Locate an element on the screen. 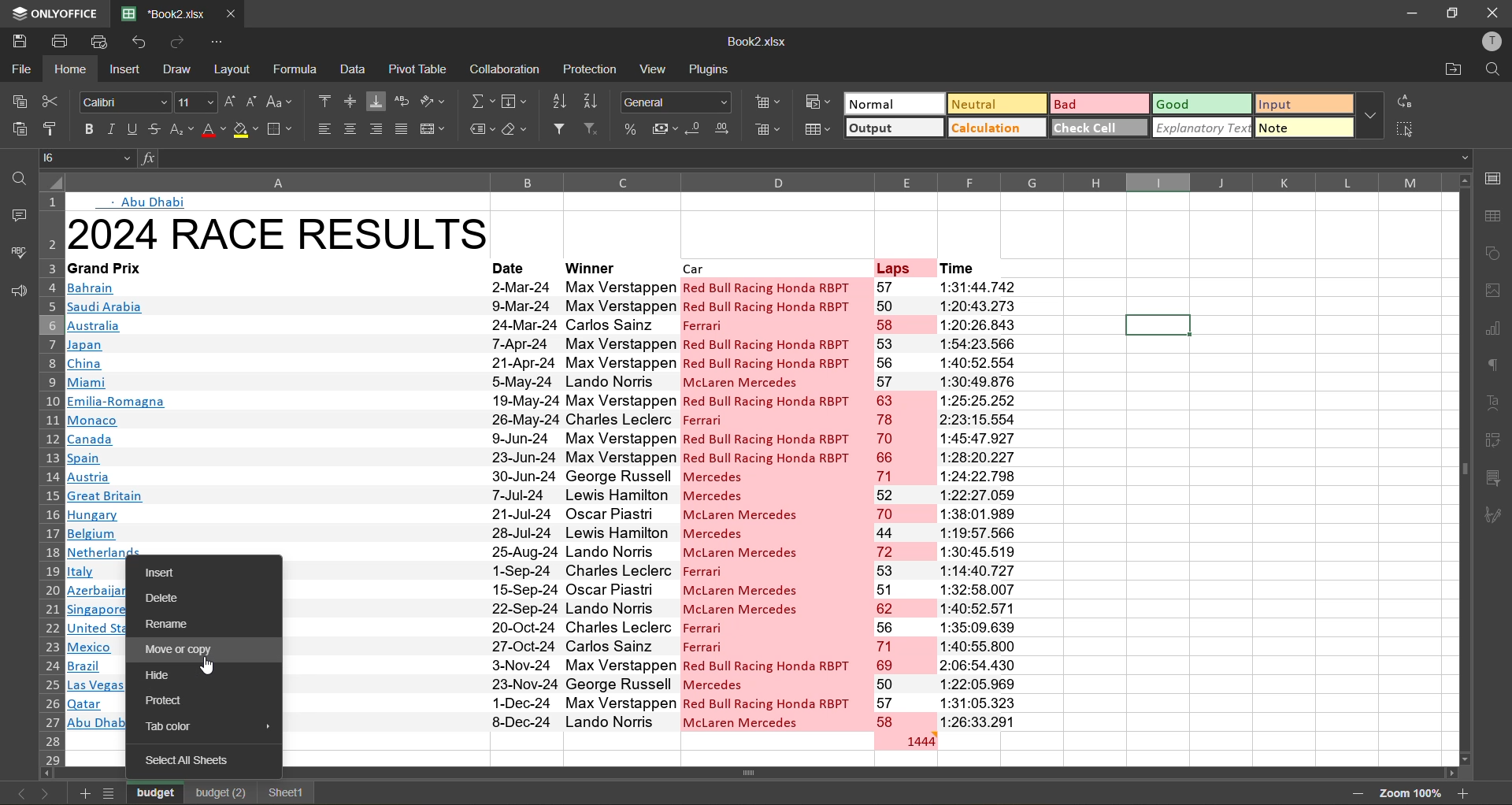 Image resolution: width=1512 pixels, height=805 pixels. layout is located at coordinates (235, 69).